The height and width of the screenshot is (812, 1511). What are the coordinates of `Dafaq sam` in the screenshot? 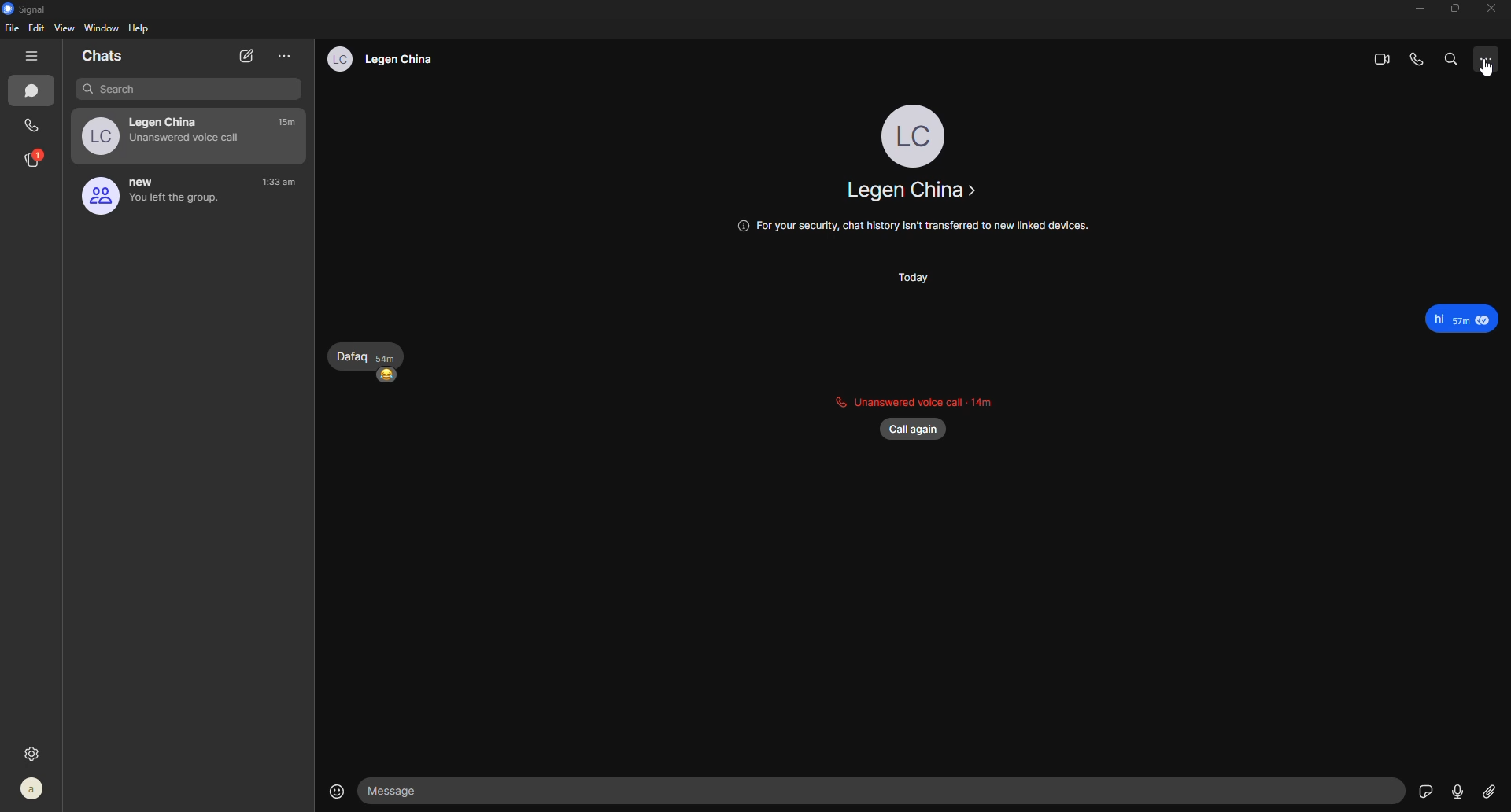 It's located at (360, 354).